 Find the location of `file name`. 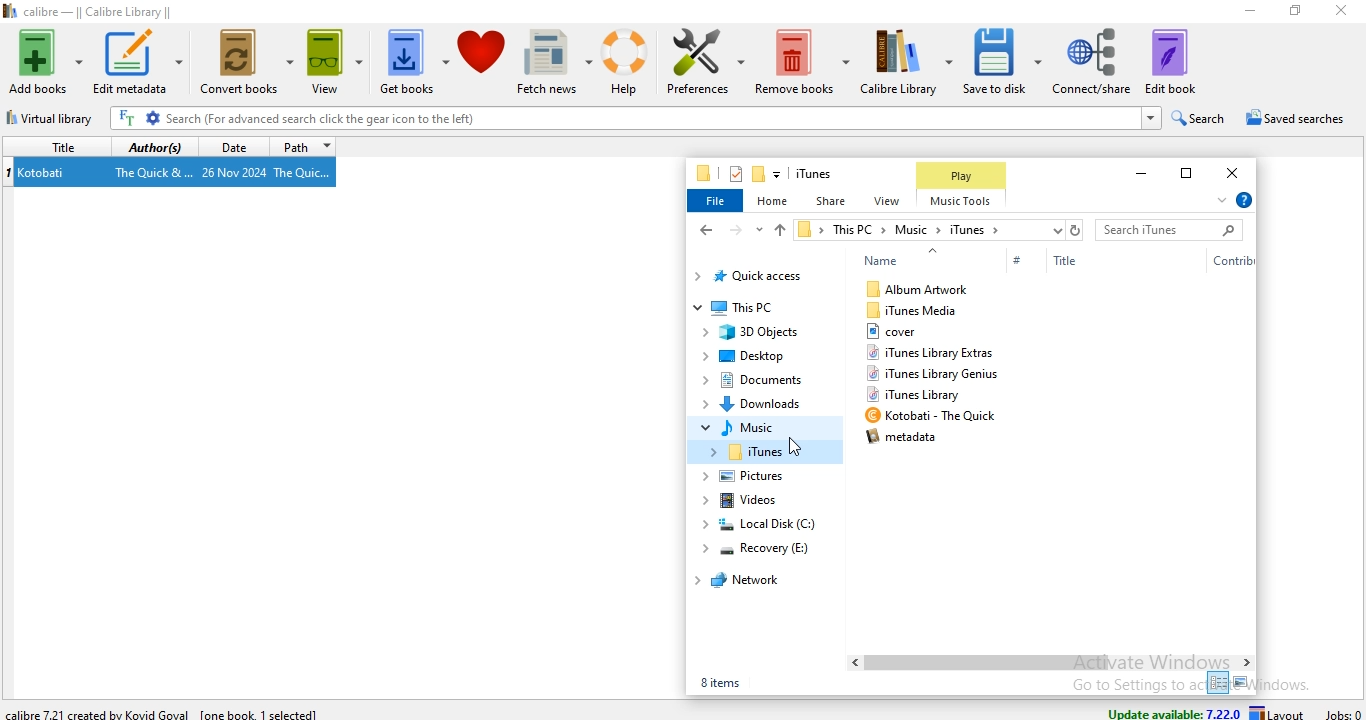

file name is located at coordinates (827, 174).